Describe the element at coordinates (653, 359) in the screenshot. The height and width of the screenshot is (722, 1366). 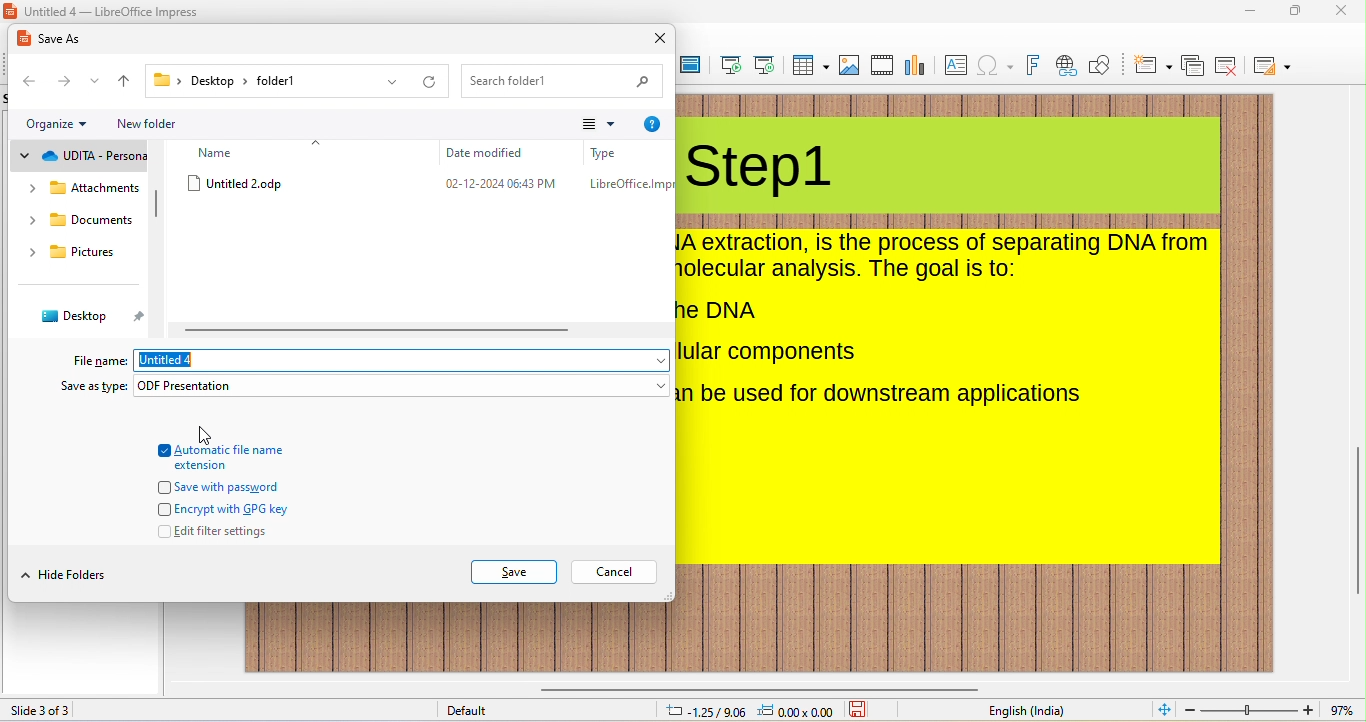
I see `drop down` at that location.